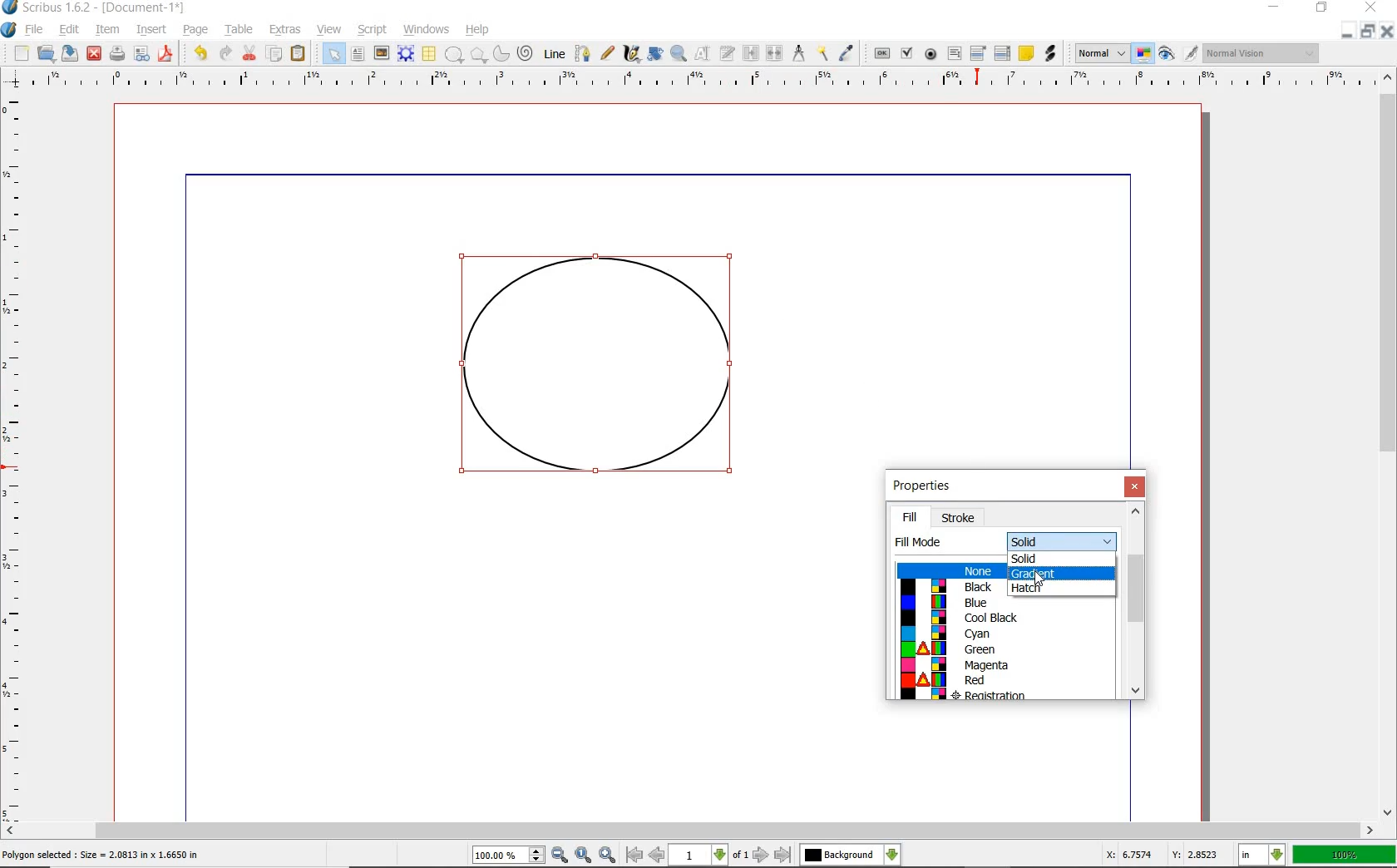  Describe the element at coordinates (117, 55) in the screenshot. I see `PRINT` at that location.